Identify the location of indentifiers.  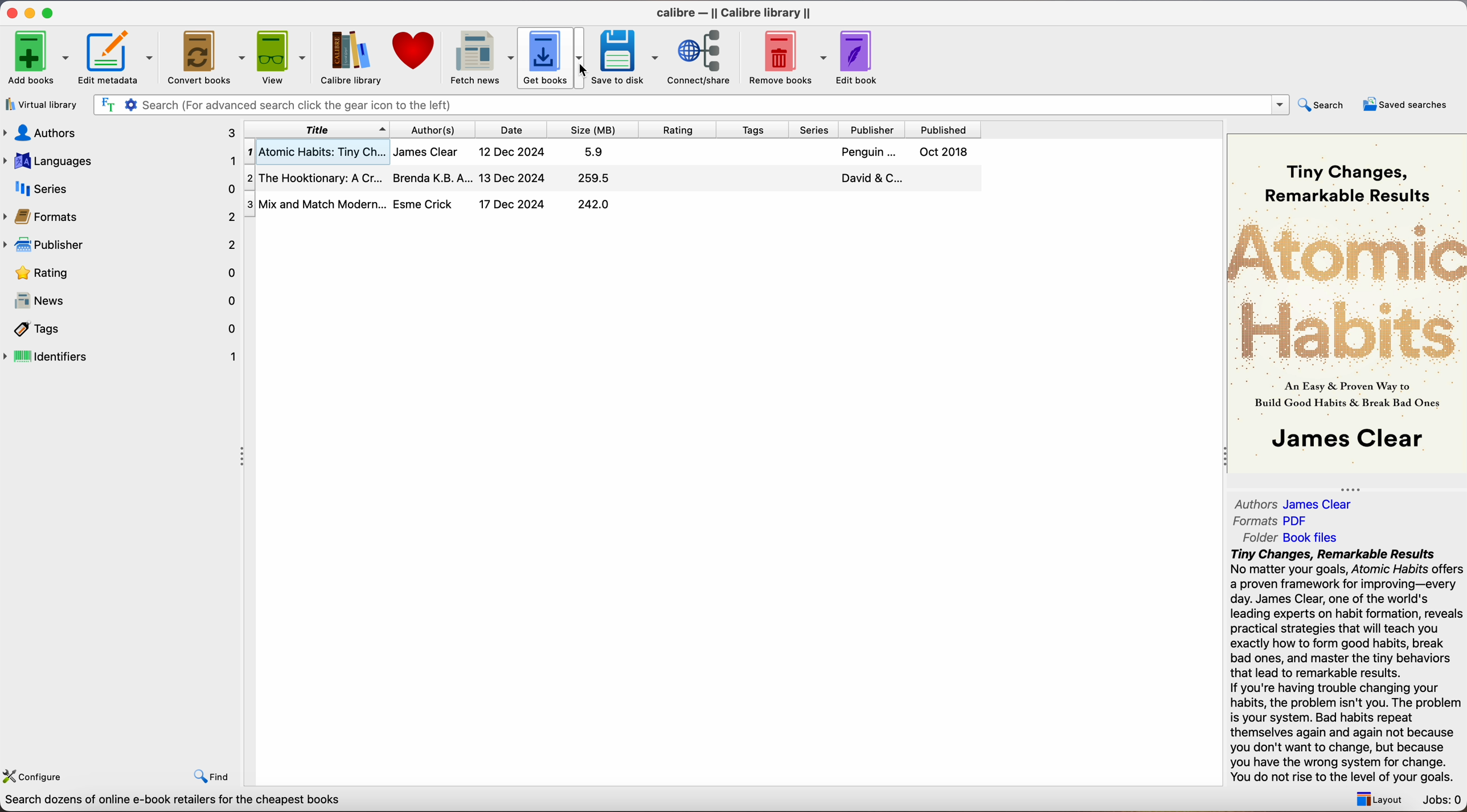
(123, 355).